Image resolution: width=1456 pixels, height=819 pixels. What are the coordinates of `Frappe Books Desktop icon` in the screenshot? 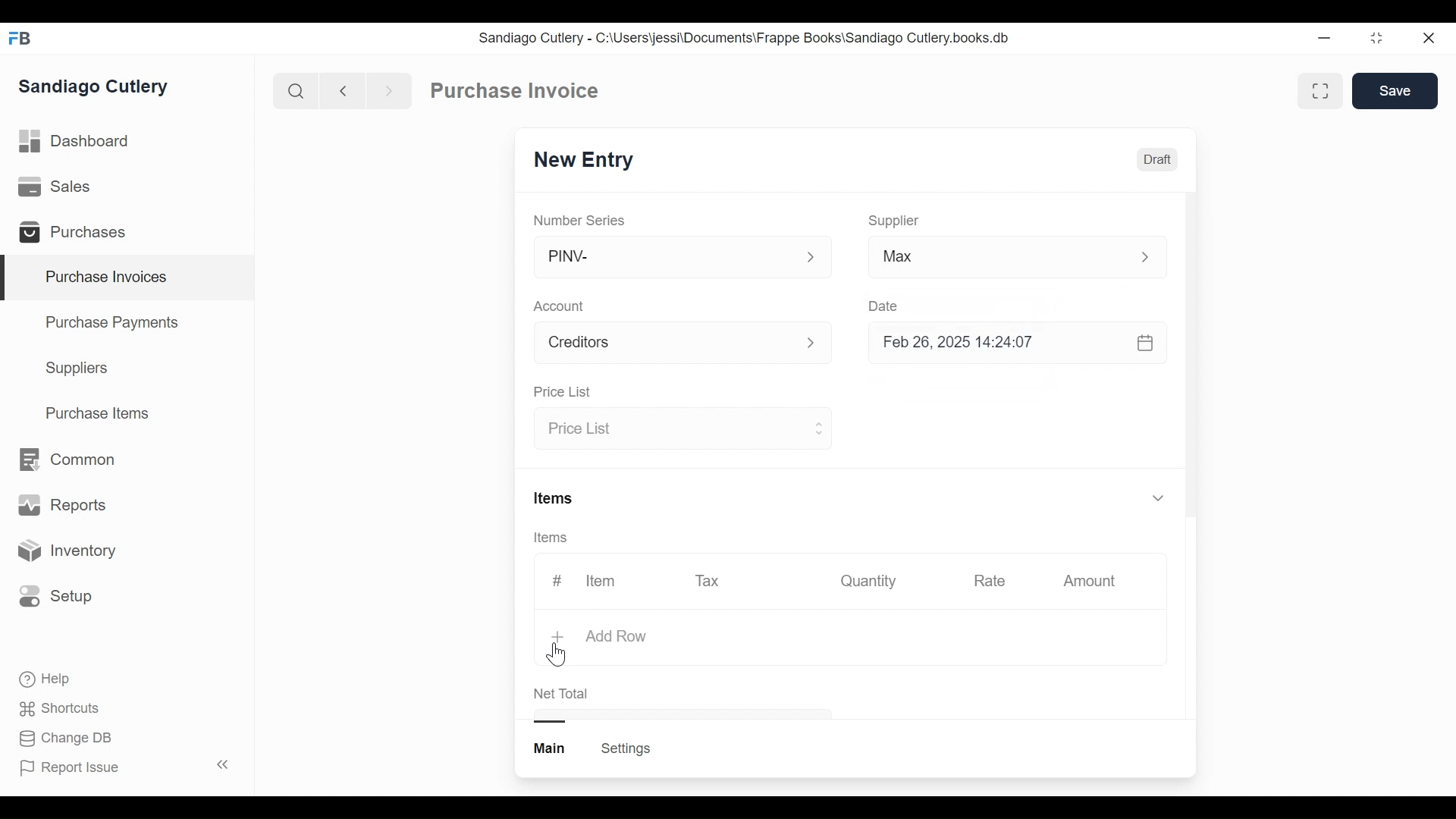 It's located at (25, 39).